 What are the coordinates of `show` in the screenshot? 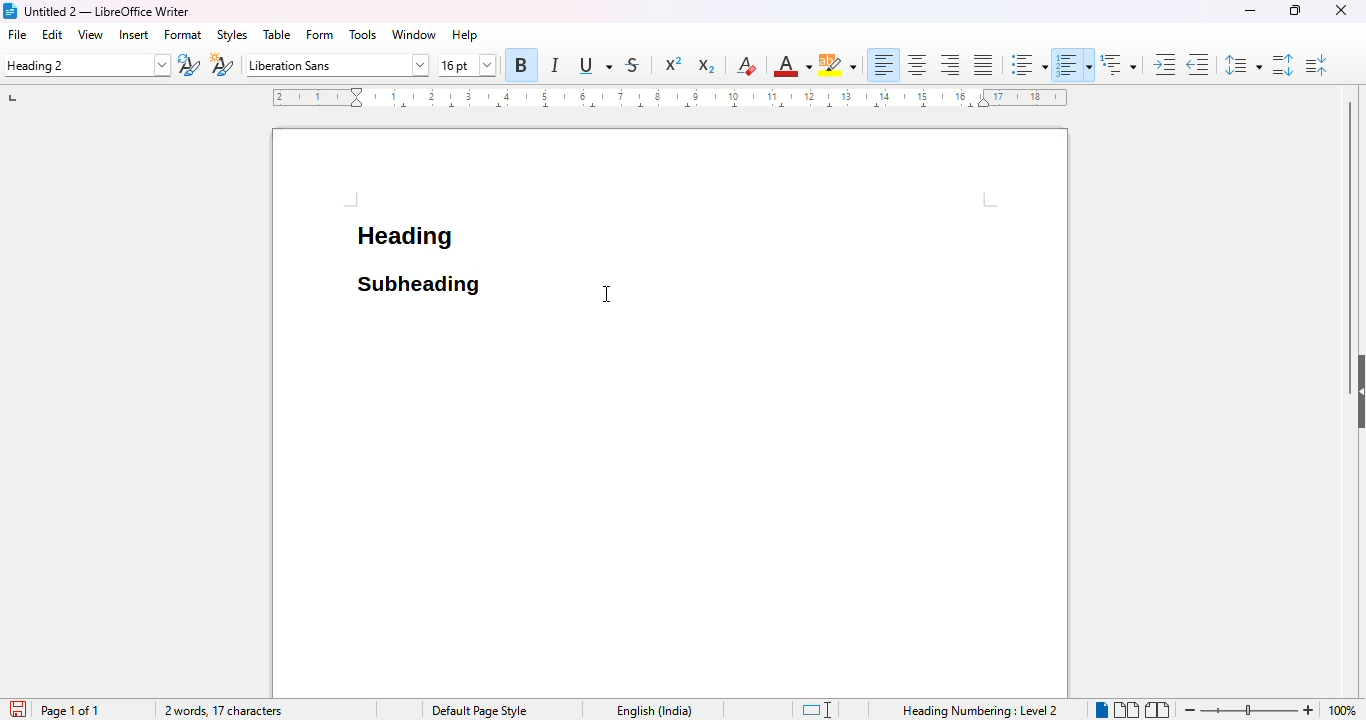 It's located at (1357, 391).